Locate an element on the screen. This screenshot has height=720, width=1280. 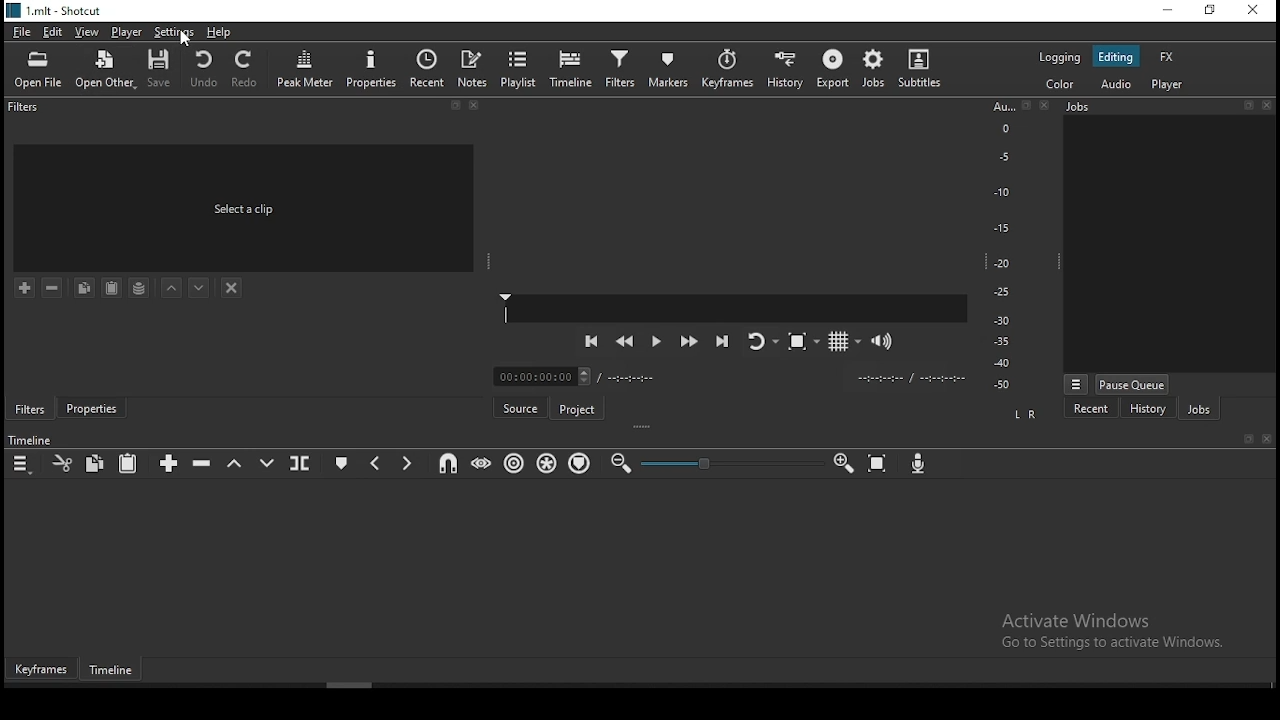
file is located at coordinates (20, 30).